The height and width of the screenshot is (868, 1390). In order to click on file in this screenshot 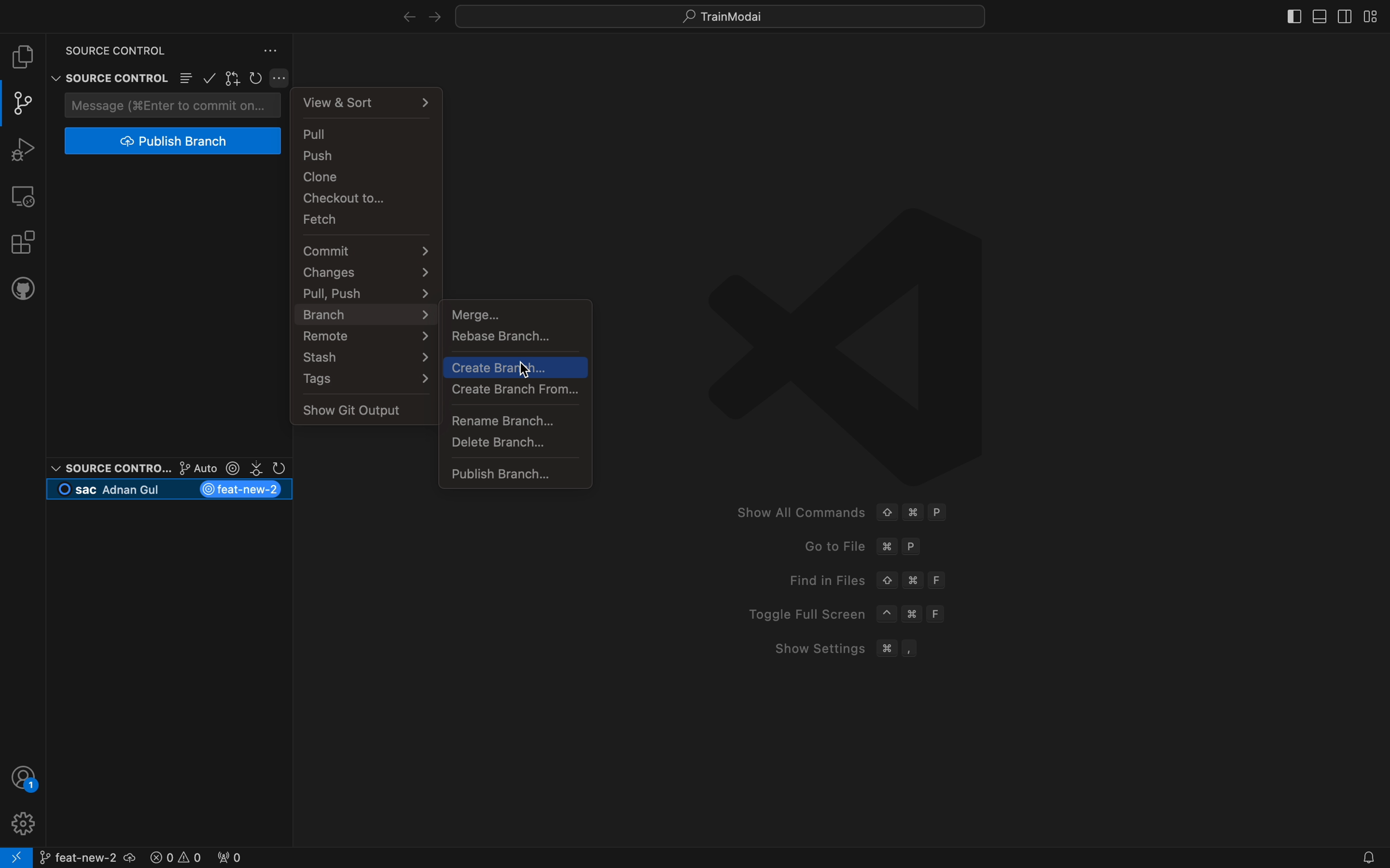, I will do `click(23, 57)`.